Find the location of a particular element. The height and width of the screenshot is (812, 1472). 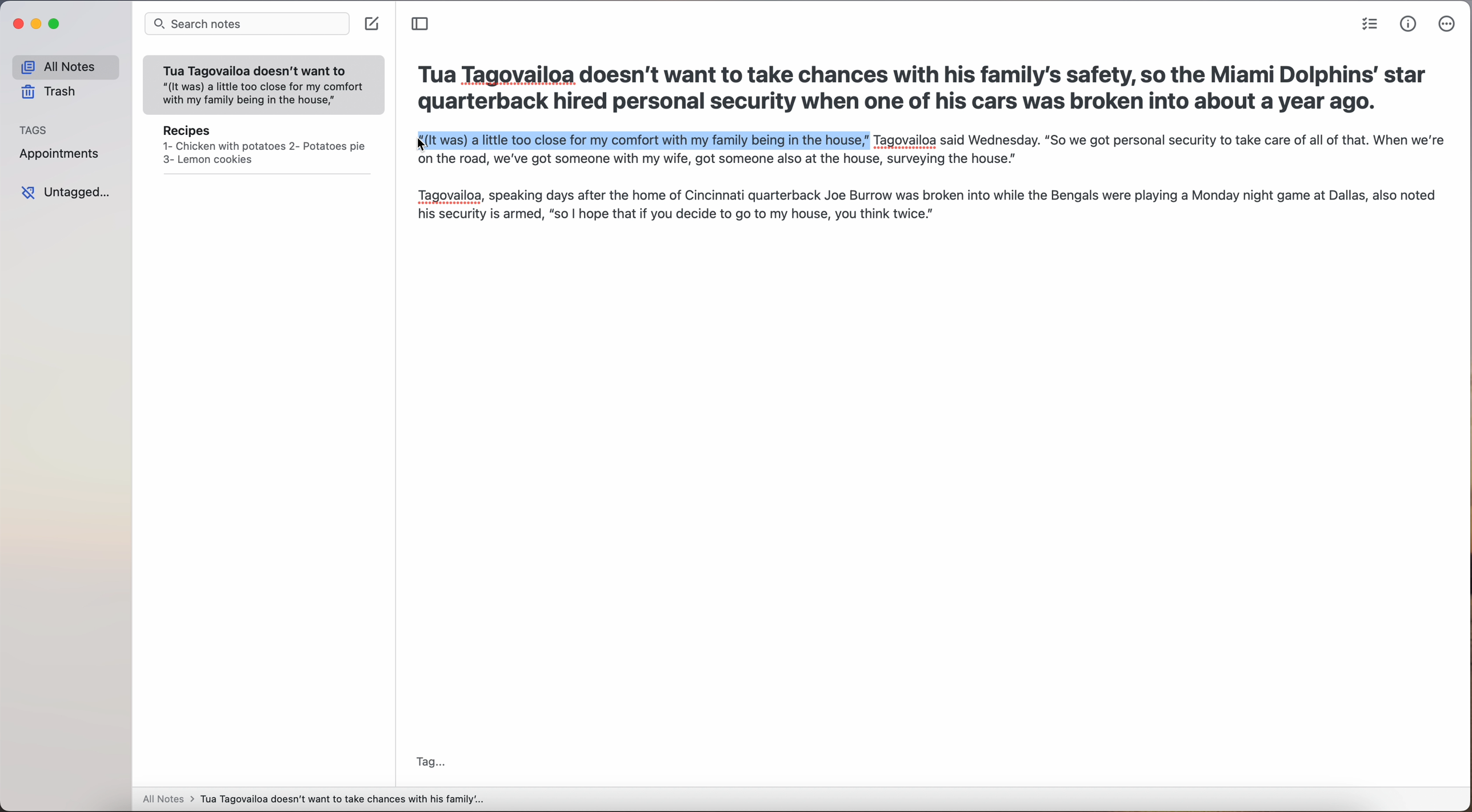

Recipes note is located at coordinates (264, 149).